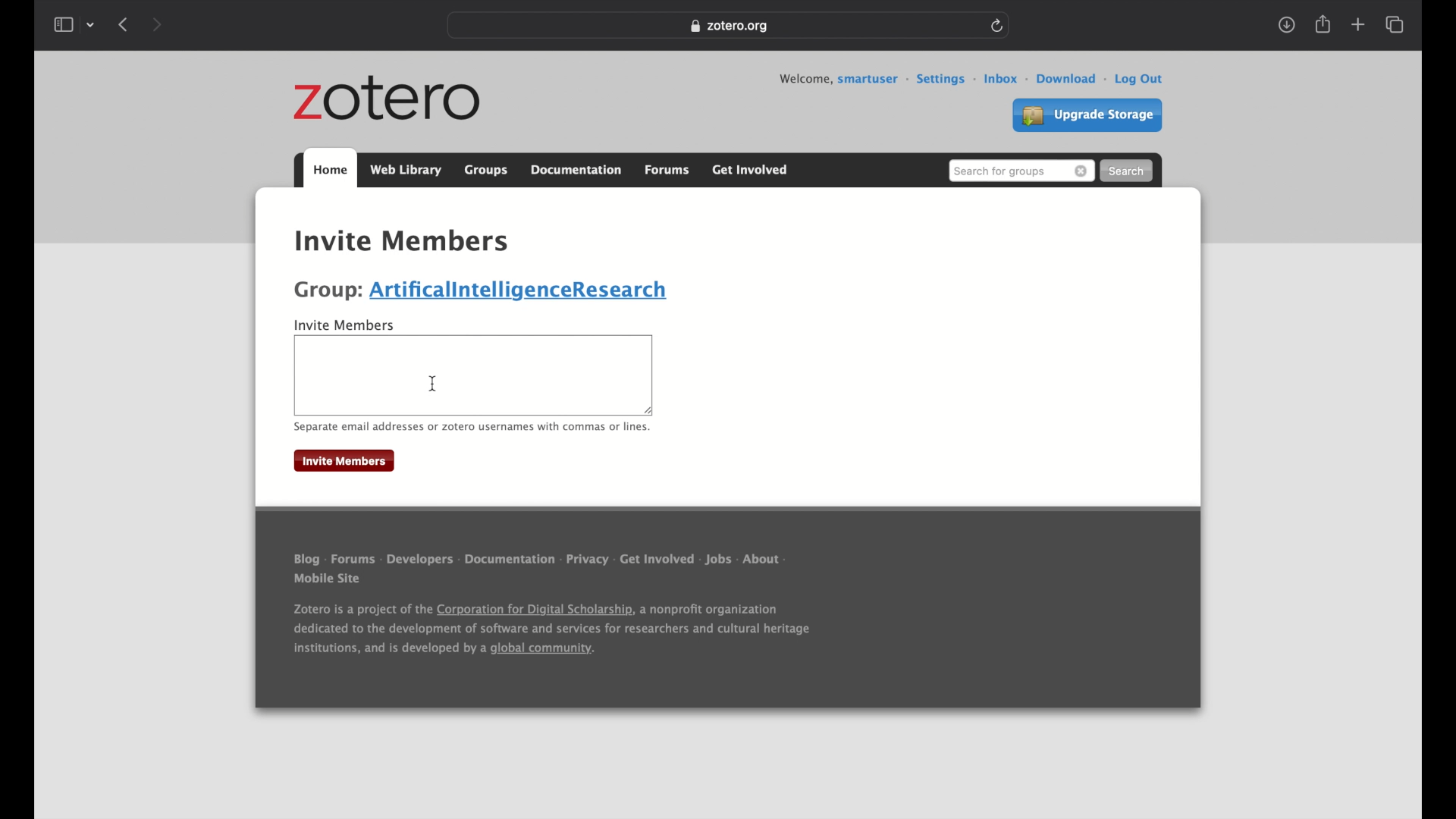  What do you see at coordinates (732, 27) in the screenshot?
I see `zotero.org` at bounding box center [732, 27].